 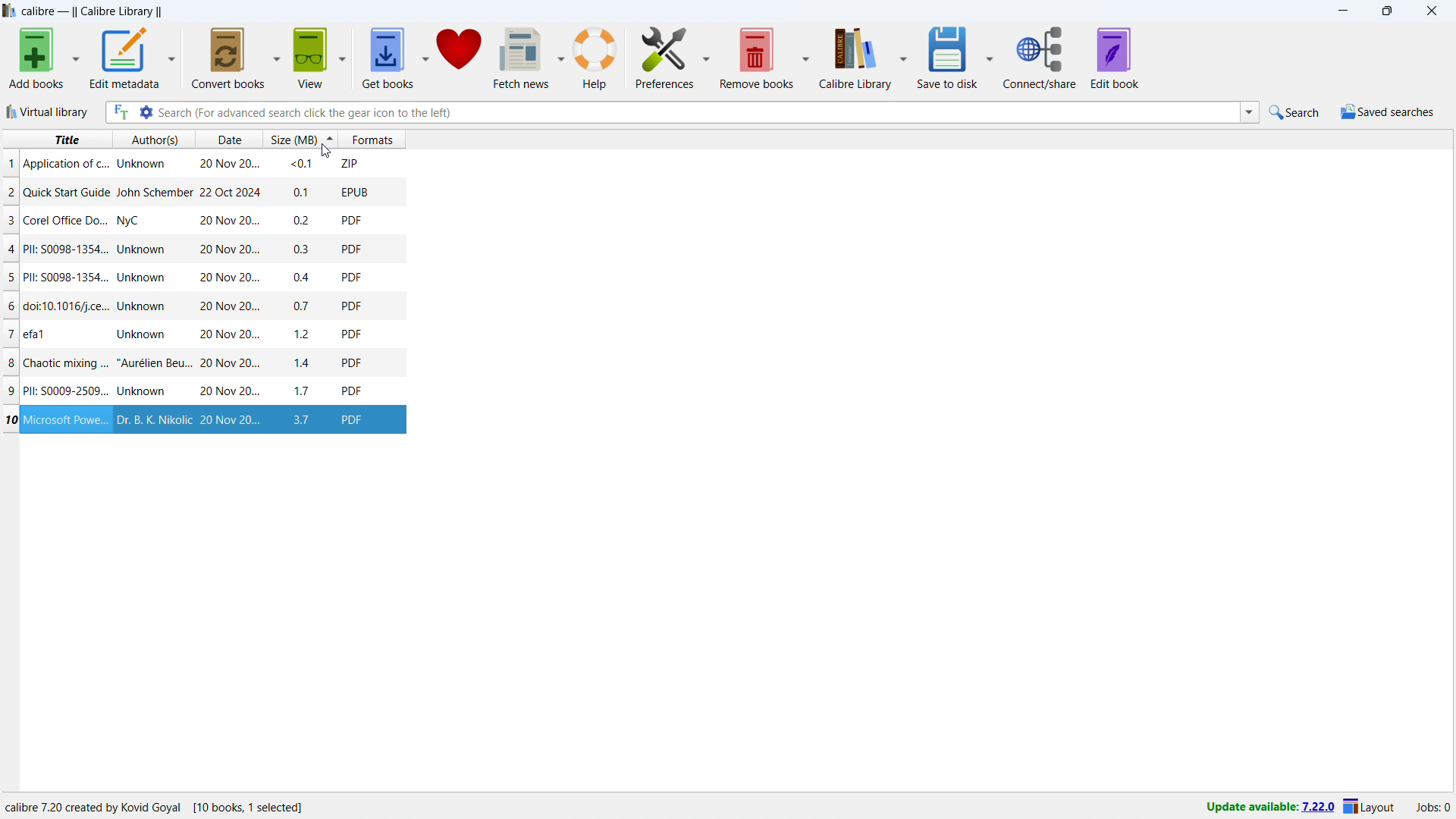 What do you see at coordinates (353, 248) in the screenshot?
I see `PDF` at bounding box center [353, 248].